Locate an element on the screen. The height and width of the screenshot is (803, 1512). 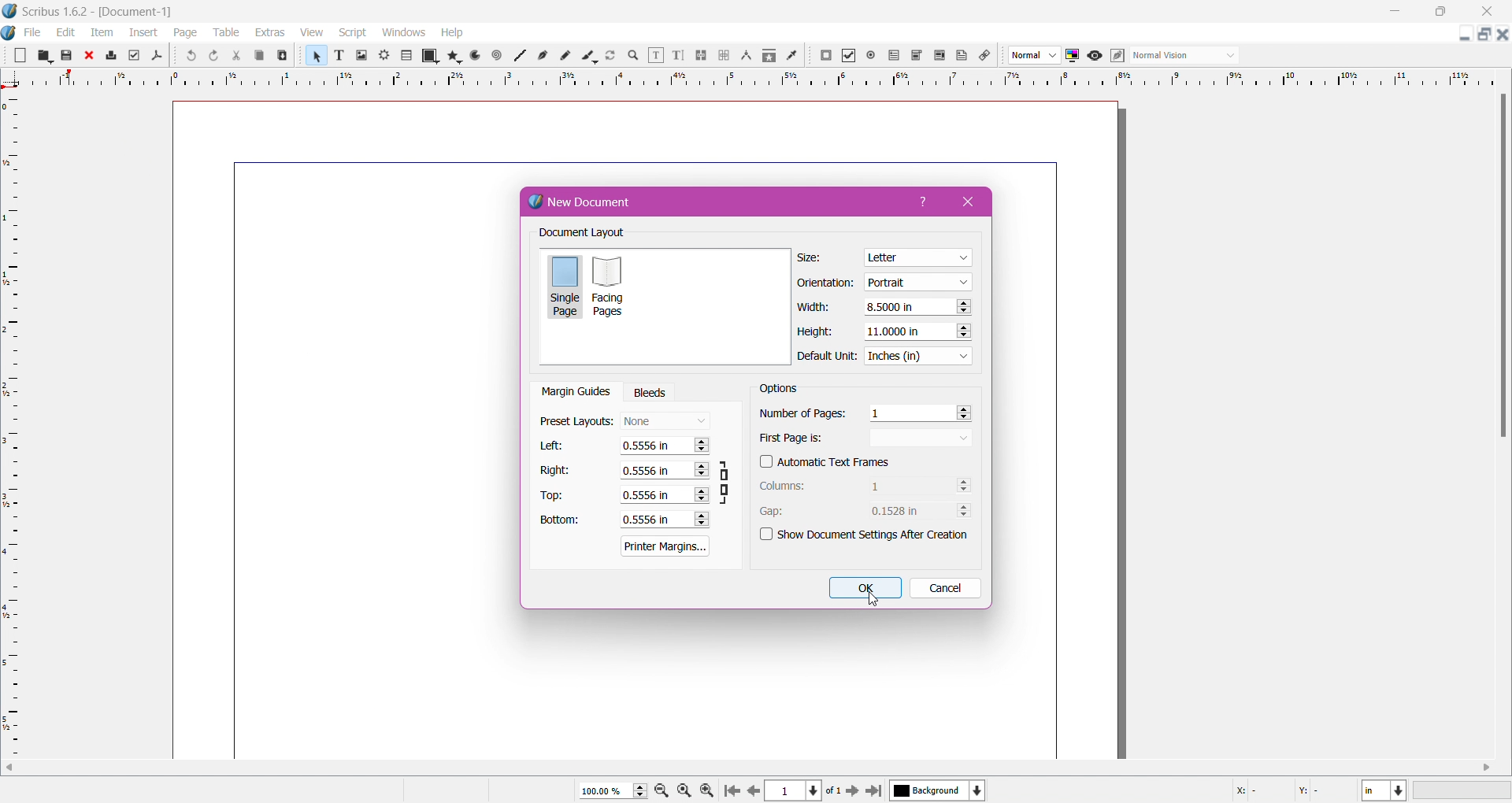
icon is located at coordinates (474, 56).